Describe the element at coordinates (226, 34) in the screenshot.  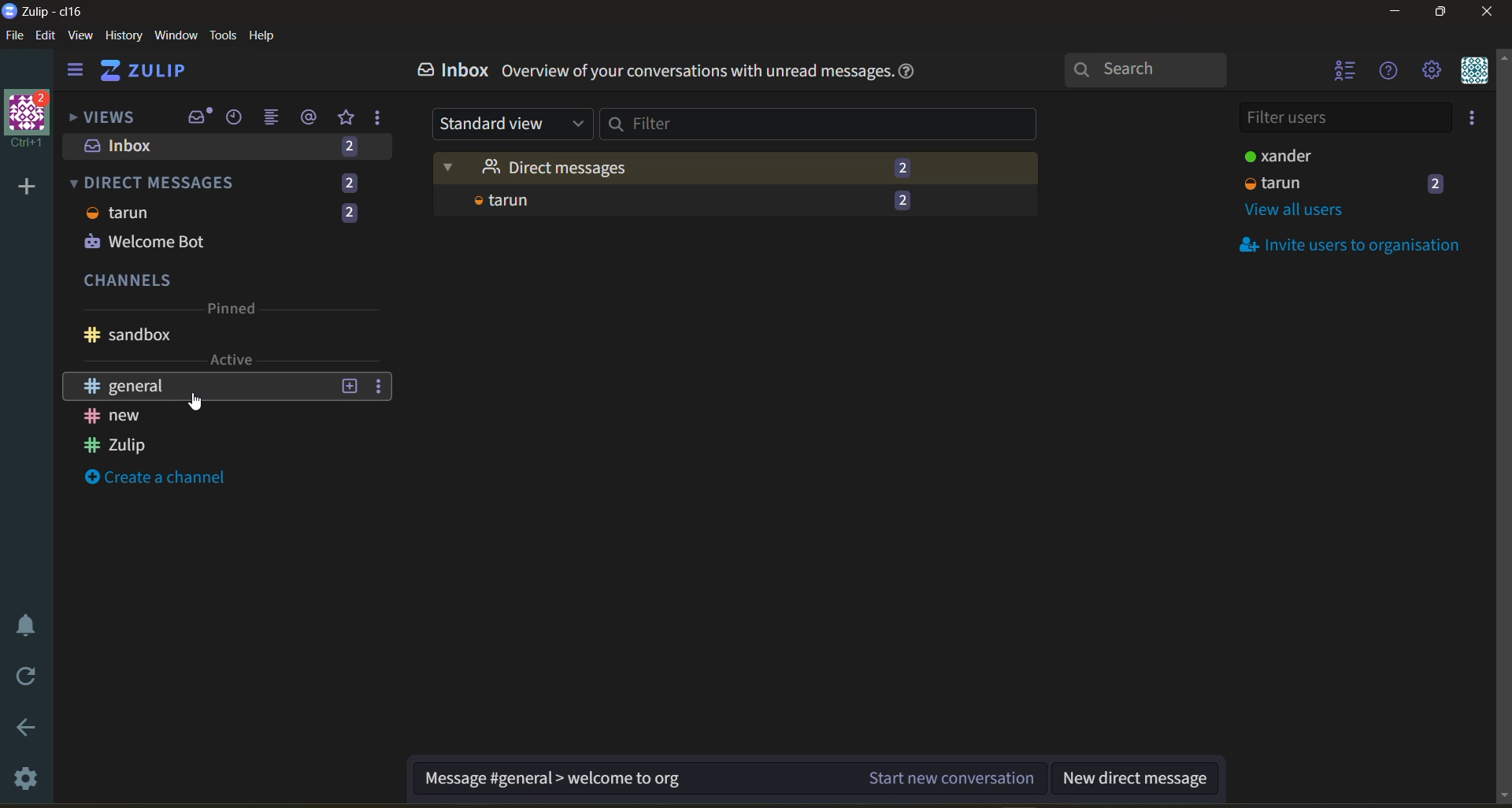
I see `tools` at that location.